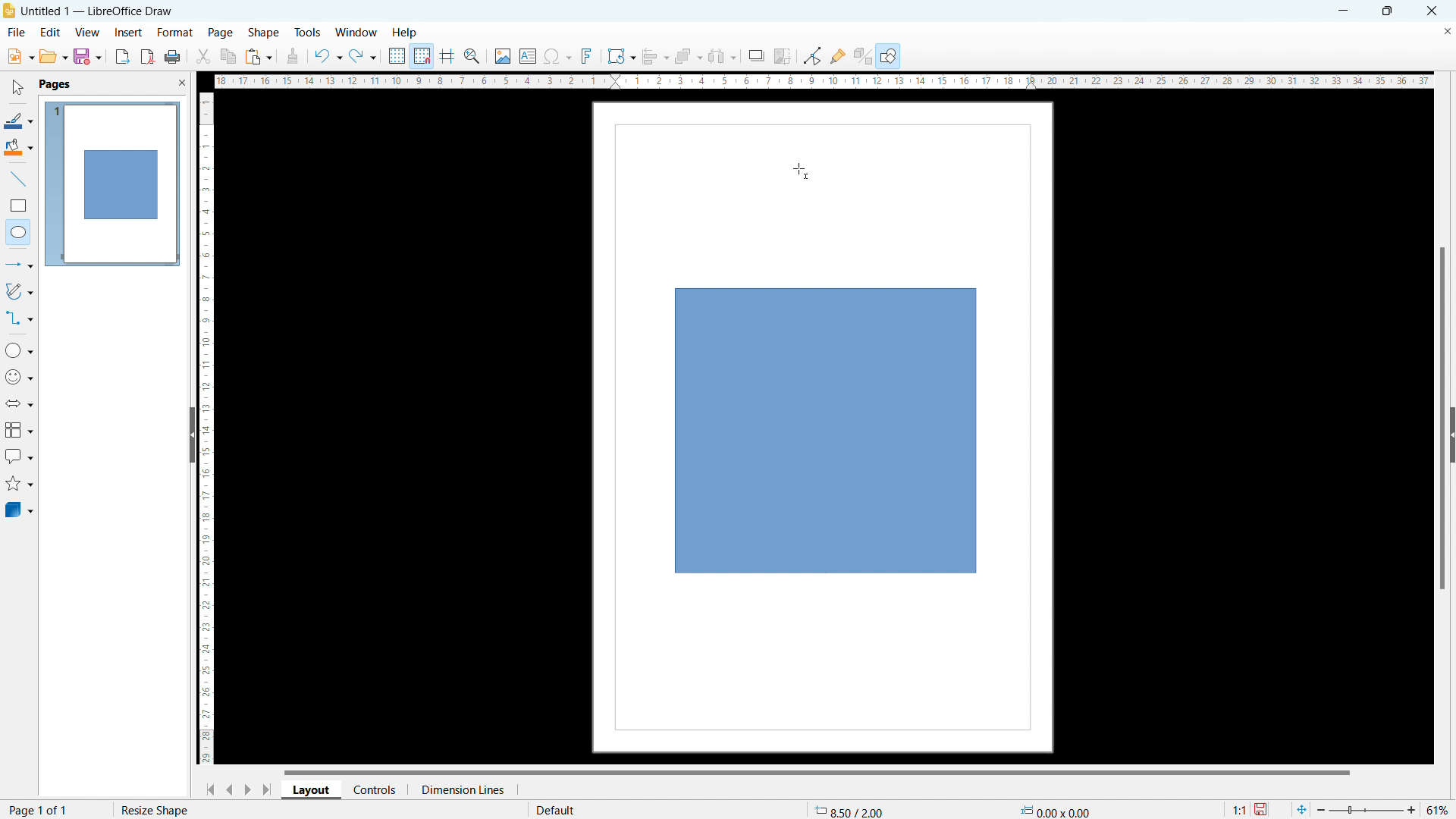 Image resolution: width=1456 pixels, height=819 pixels. I want to click on format, so click(174, 33).